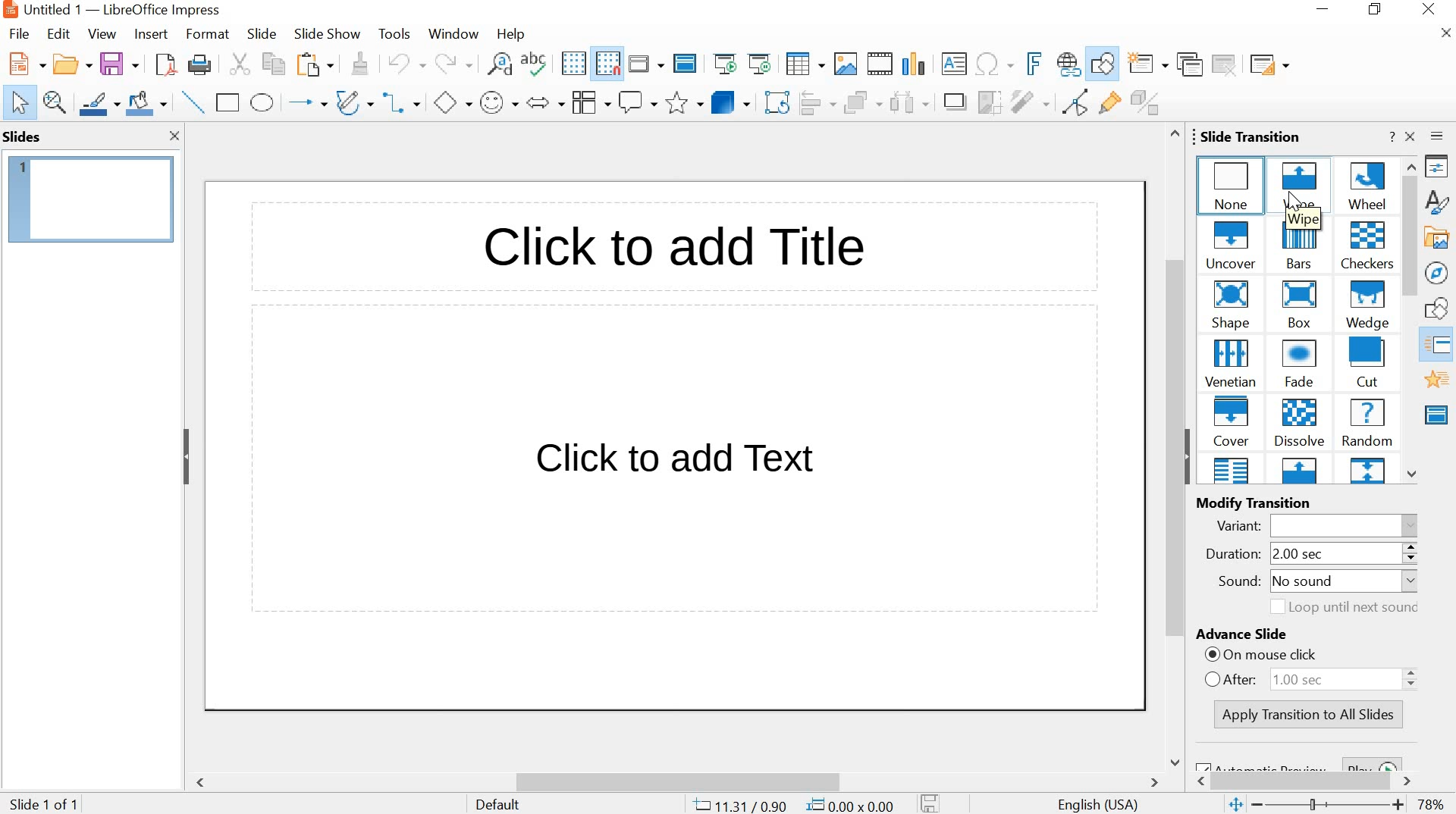 This screenshot has width=1456, height=814. What do you see at coordinates (315, 65) in the screenshot?
I see `Paste` at bounding box center [315, 65].